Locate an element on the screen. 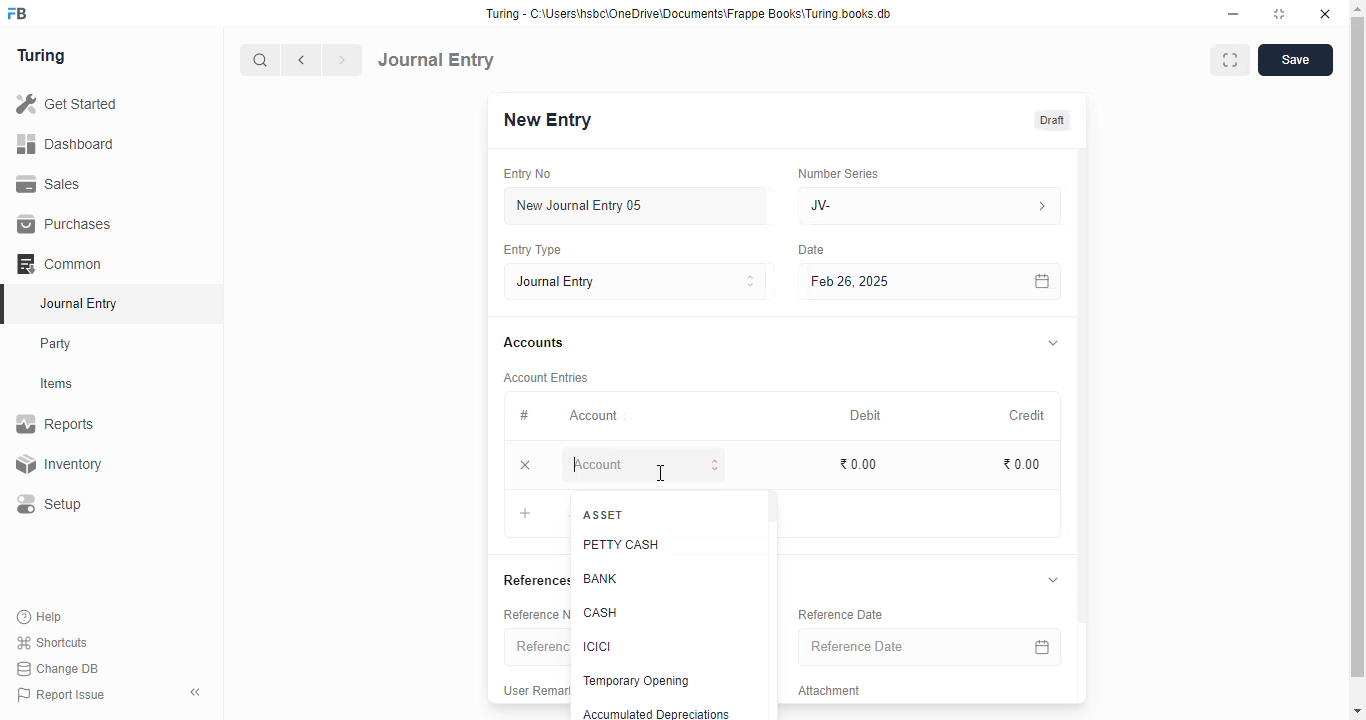 This screenshot has height=720, width=1366. remove is located at coordinates (525, 466).